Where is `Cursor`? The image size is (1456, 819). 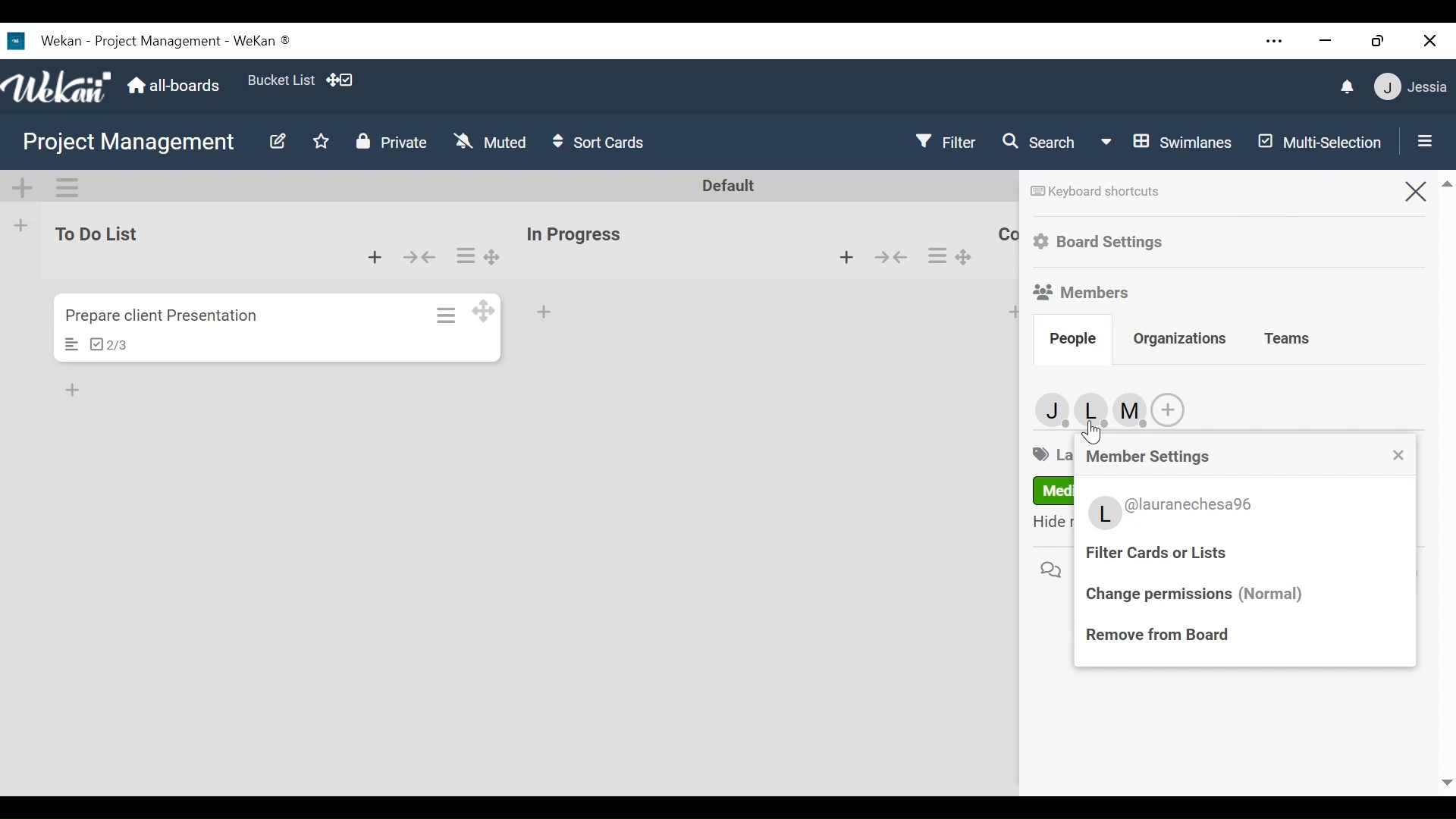
Cursor is located at coordinates (1091, 431).